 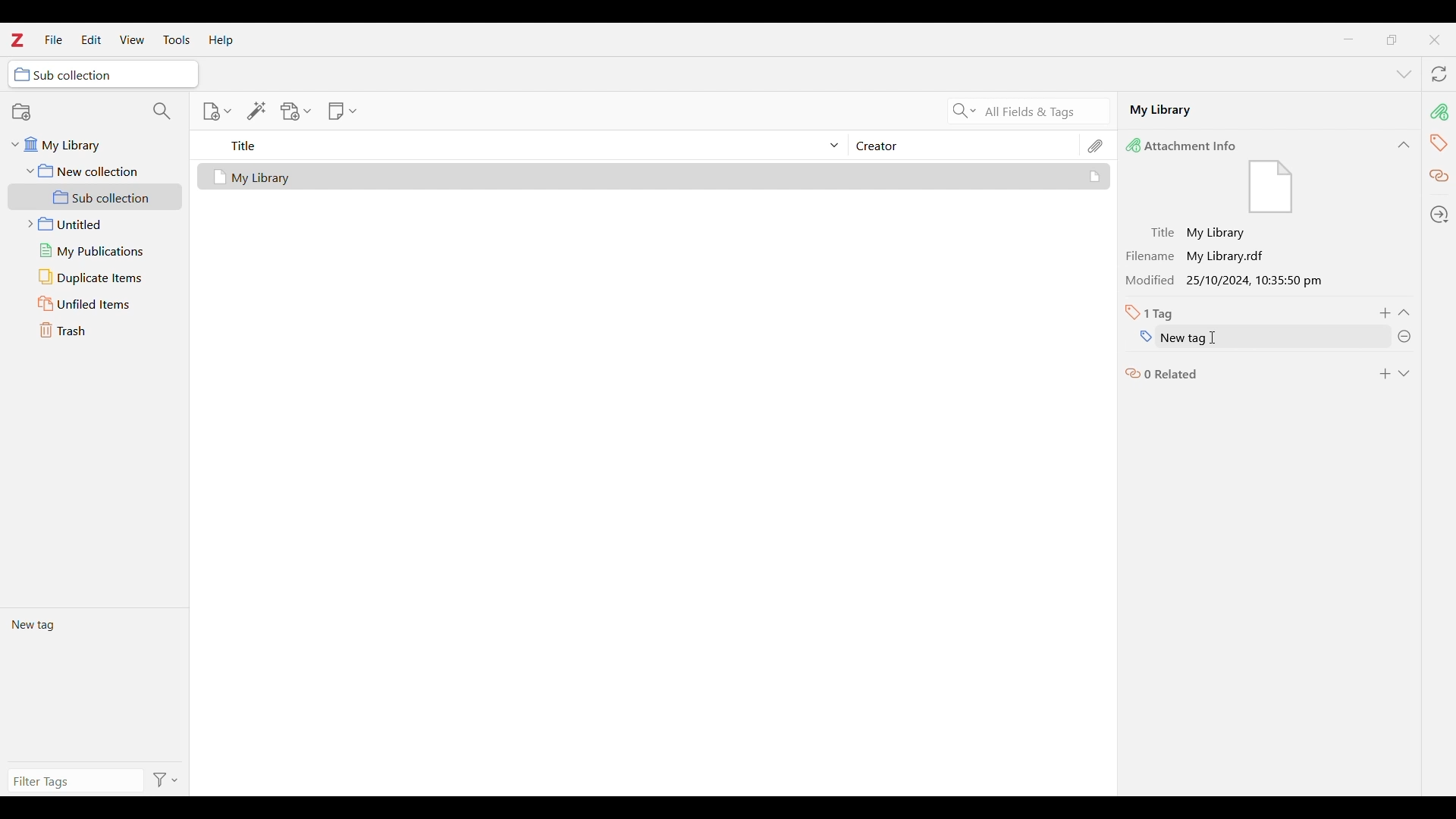 I want to click on Locate, so click(x=1439, y=215).